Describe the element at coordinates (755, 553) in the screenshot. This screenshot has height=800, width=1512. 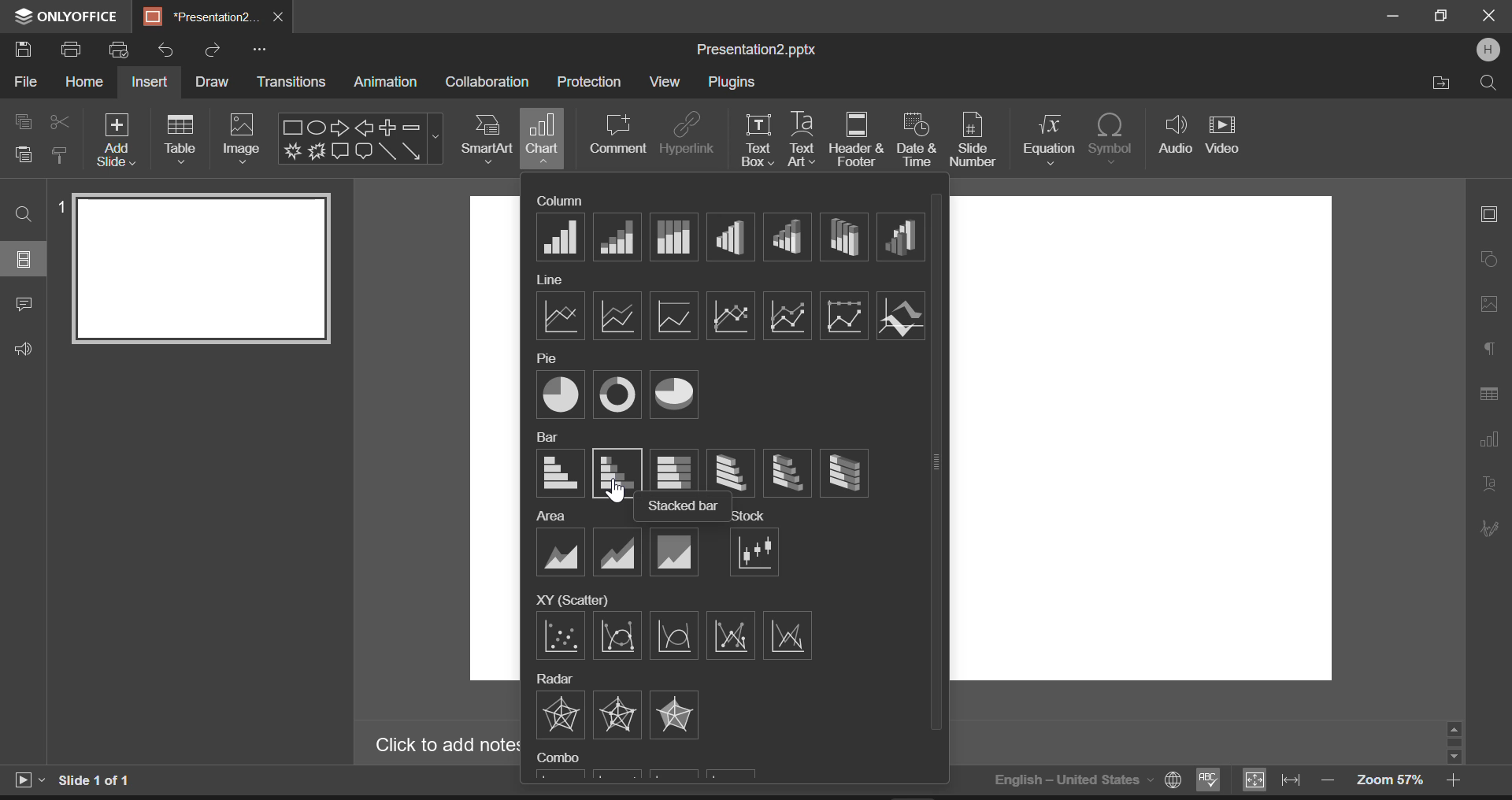
I see `Stock` at that location.